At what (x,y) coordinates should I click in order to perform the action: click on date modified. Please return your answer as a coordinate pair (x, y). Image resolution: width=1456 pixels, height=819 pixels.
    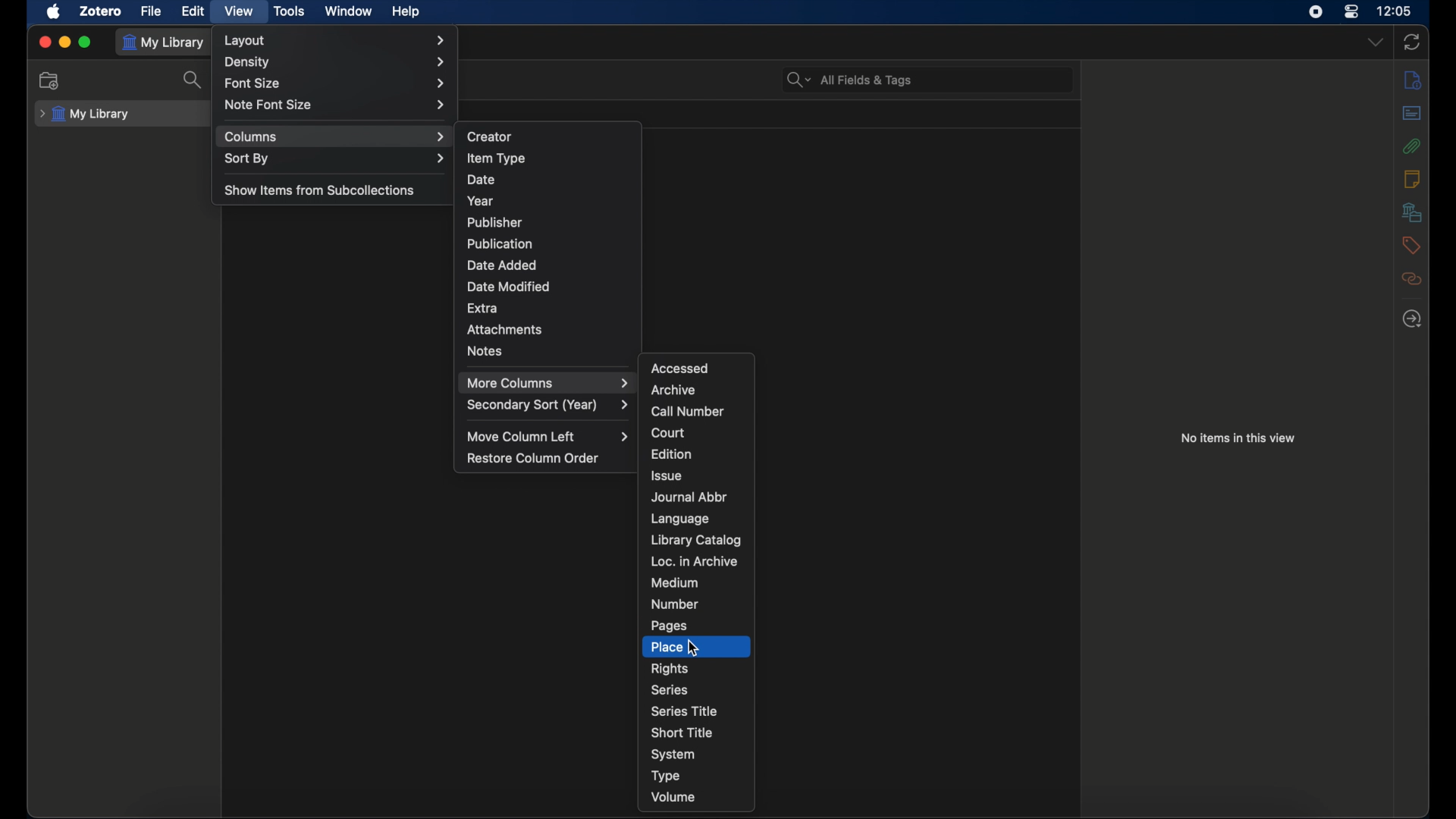
    Looking at the image, I should click on (510, 287).